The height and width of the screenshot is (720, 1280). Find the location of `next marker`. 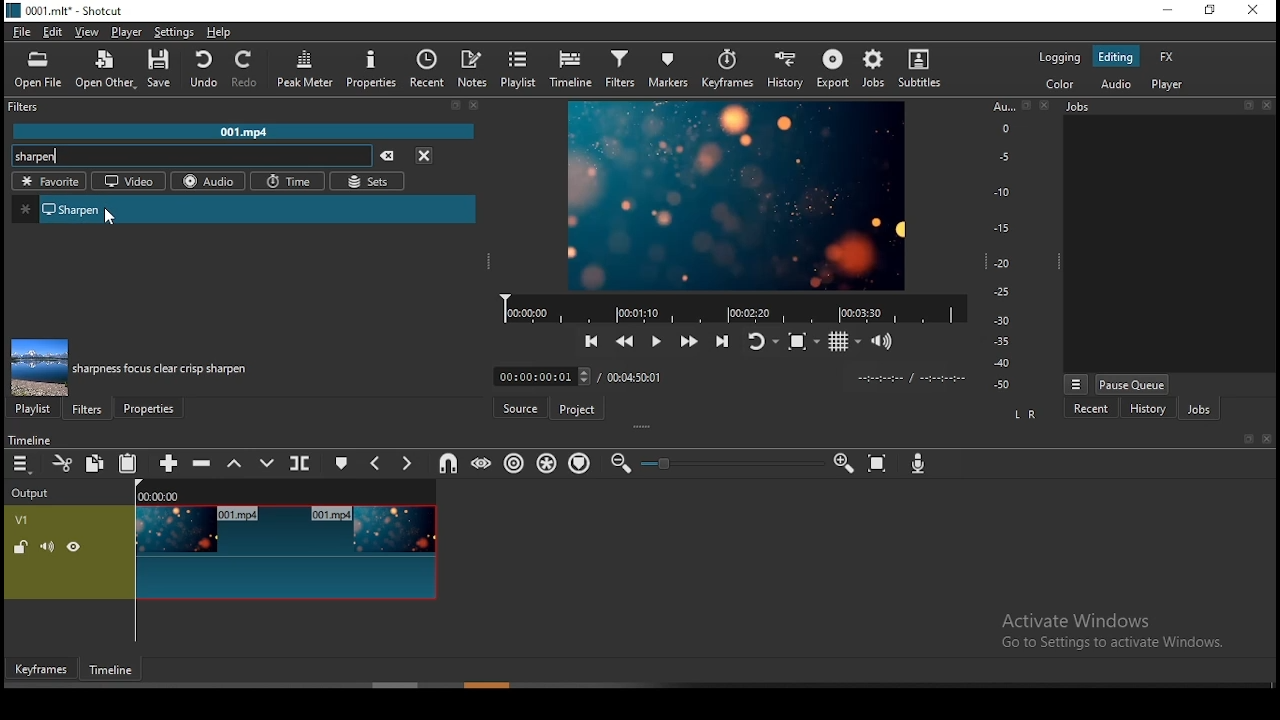

next marker is located at coordinates (406, 461).